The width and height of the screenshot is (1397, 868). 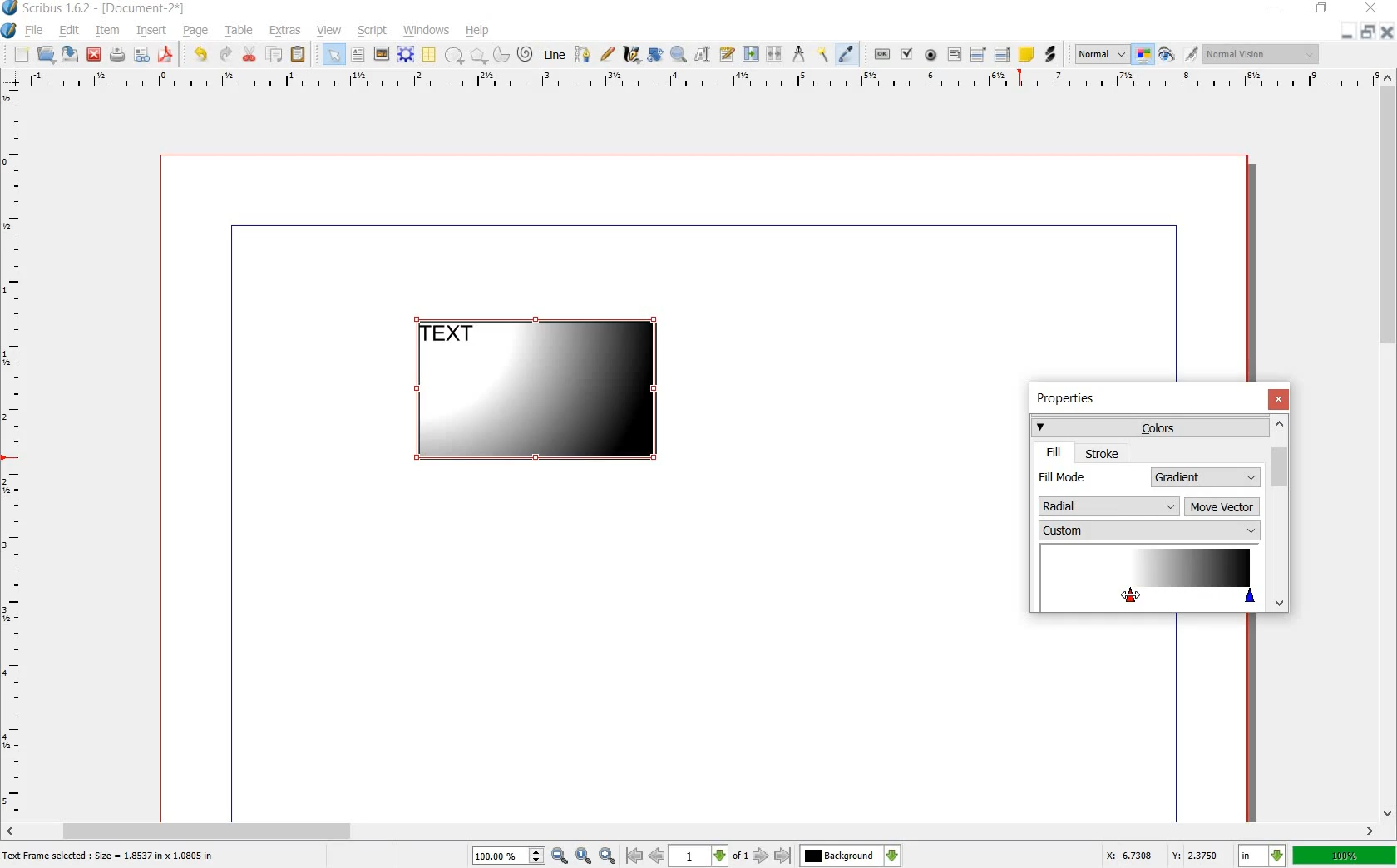 I want to click on colors, so click(x=1148, y=427).